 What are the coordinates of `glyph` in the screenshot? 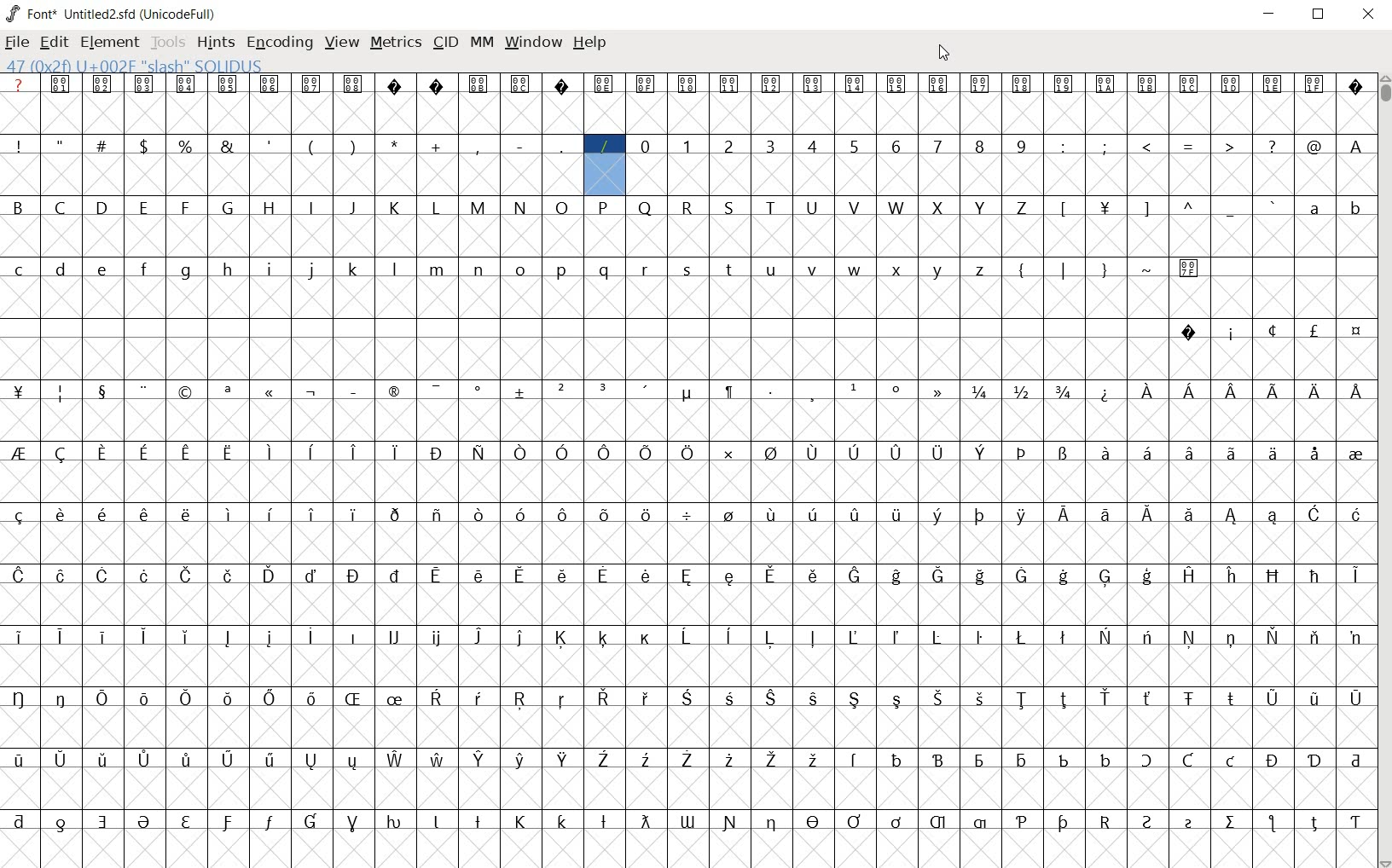 It's located at (645, 821).